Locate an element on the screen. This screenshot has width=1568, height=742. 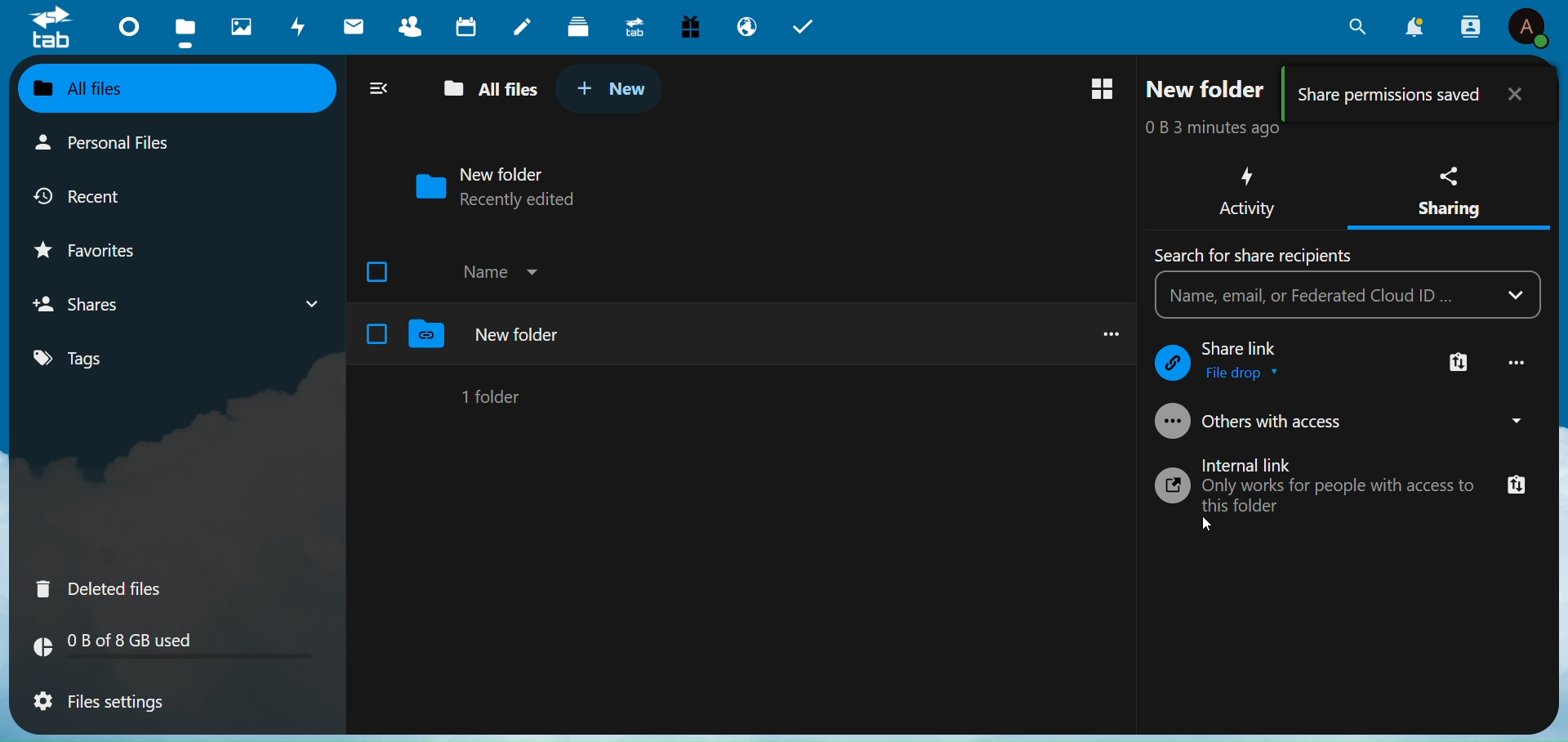
Recently Added is located at coordinates (532, 200).